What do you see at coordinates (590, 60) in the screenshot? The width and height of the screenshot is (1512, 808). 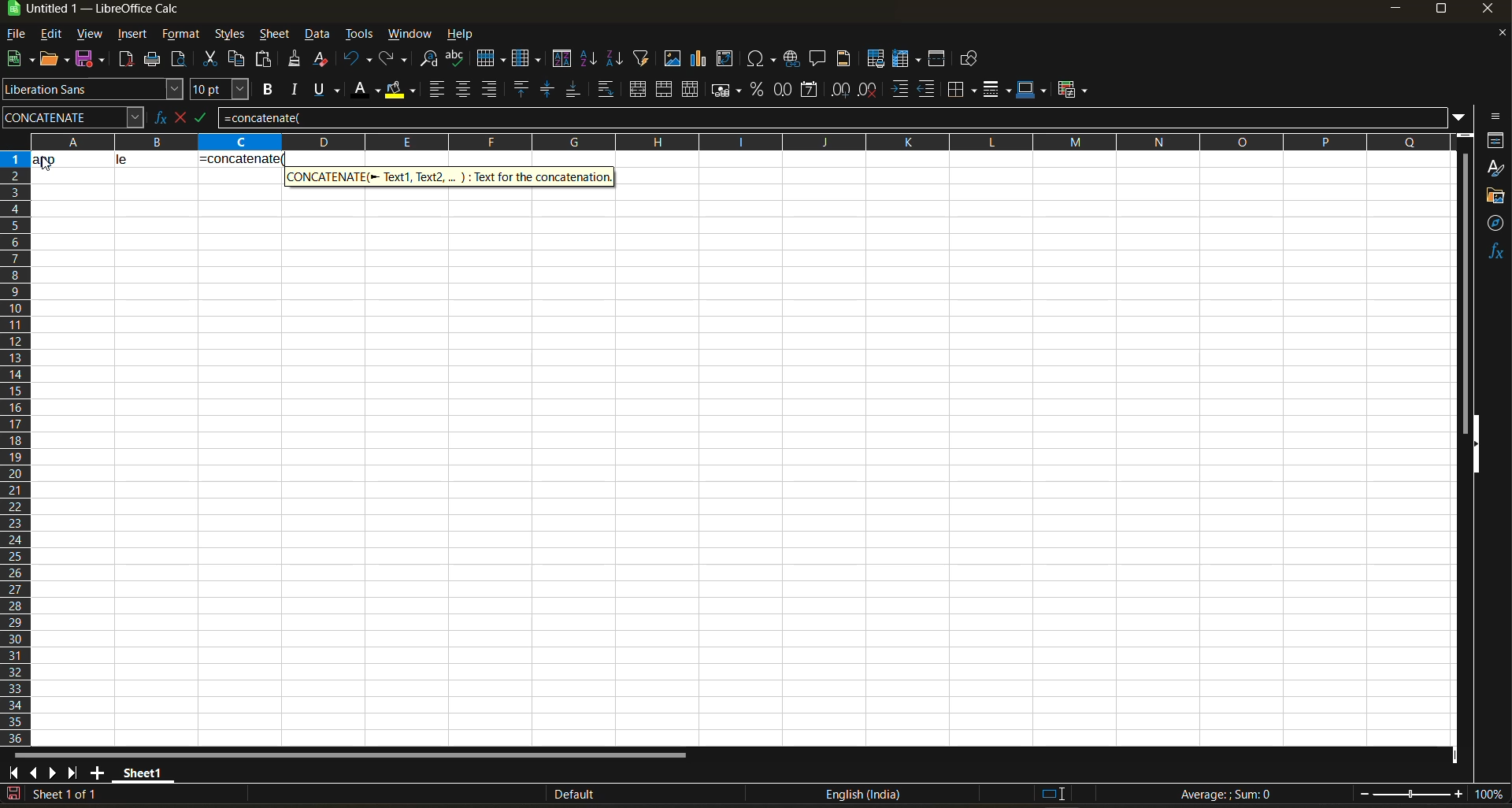 I see `sort ascending` at bounding box center [590, 60].